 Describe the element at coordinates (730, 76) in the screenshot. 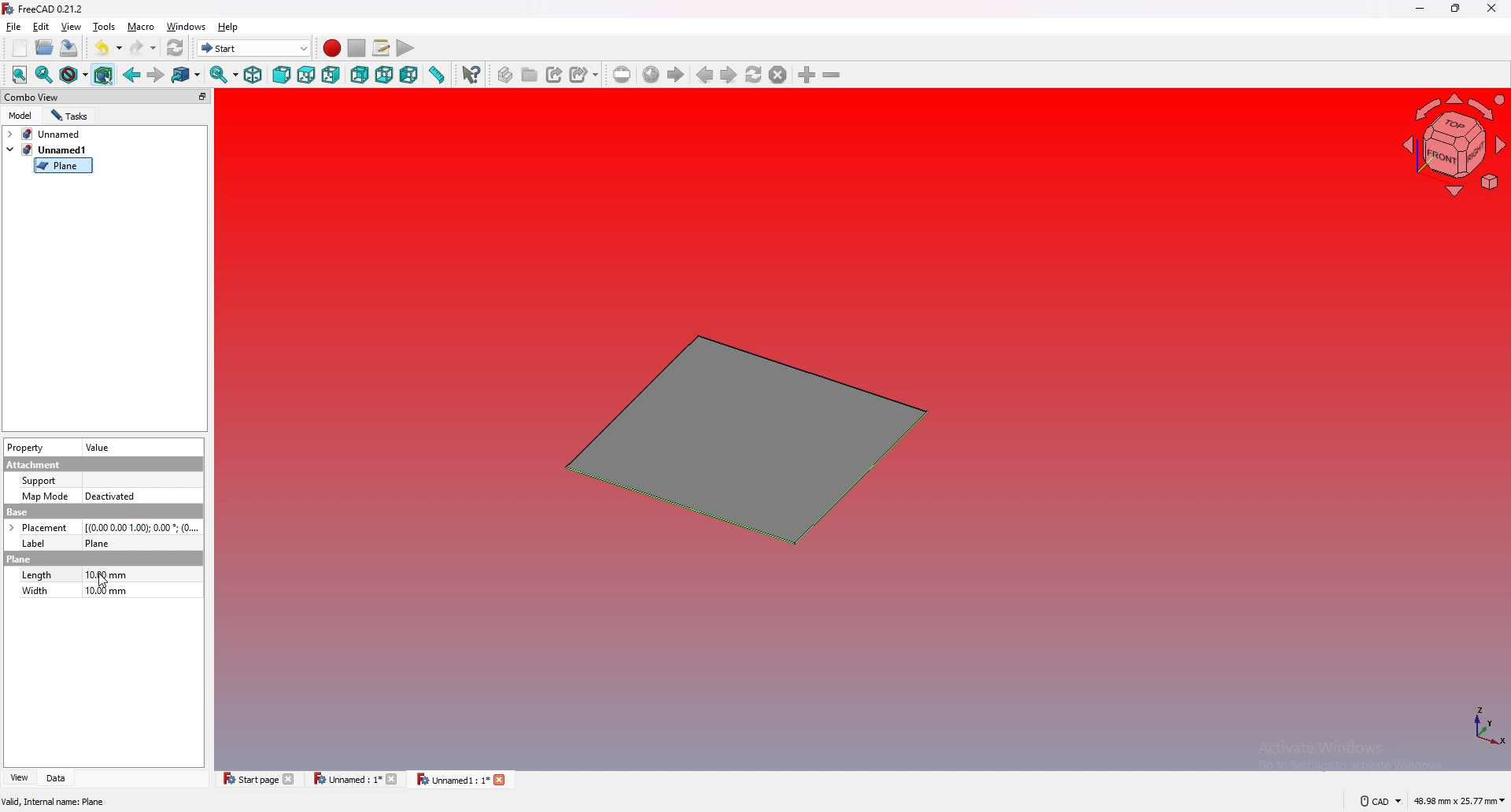

I see `next page` at that location.